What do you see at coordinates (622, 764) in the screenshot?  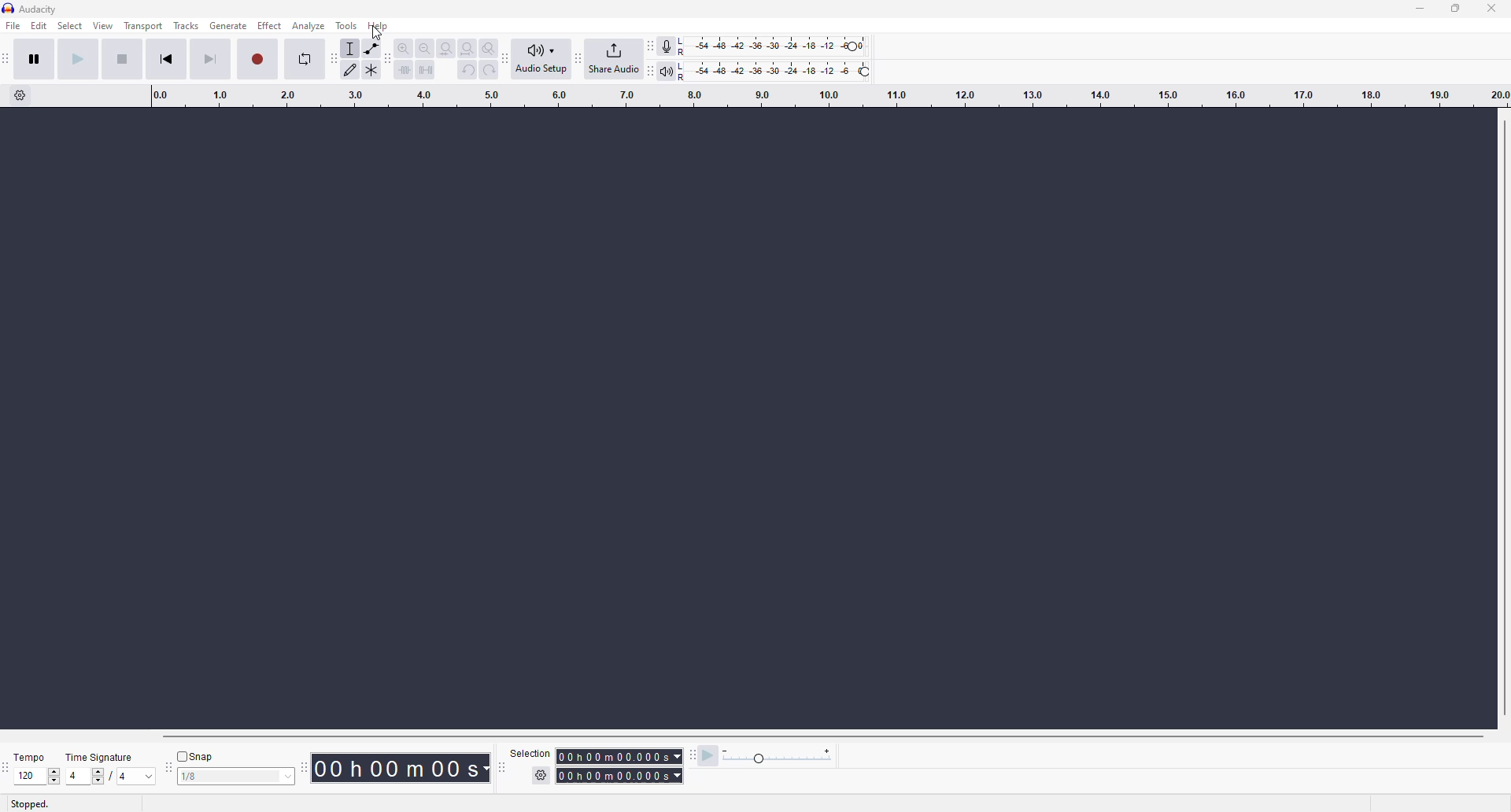 I see `time` at bounding box center [622, 764].